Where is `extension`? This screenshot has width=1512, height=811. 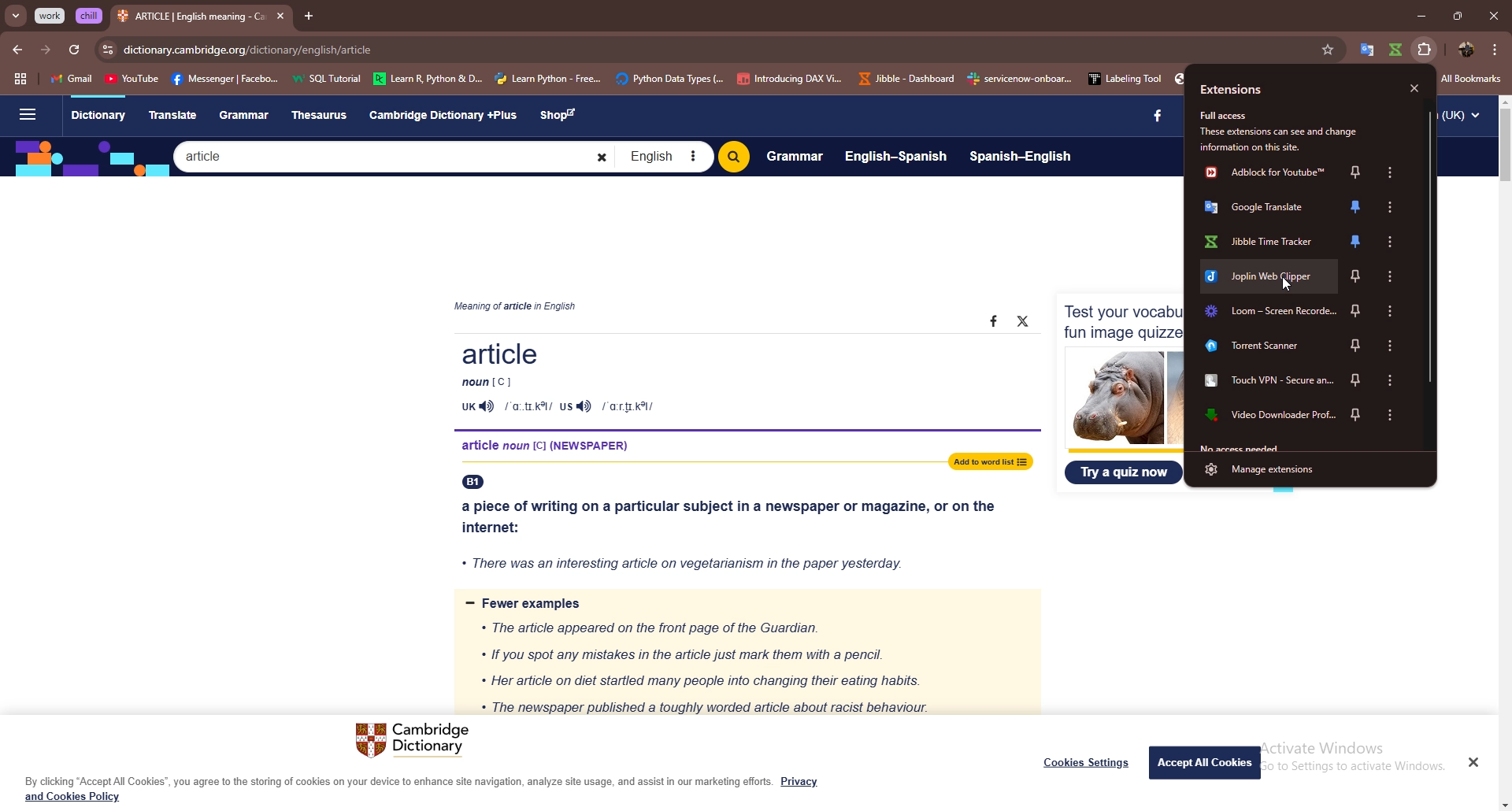
extension is located at coordinates (1269, 172).